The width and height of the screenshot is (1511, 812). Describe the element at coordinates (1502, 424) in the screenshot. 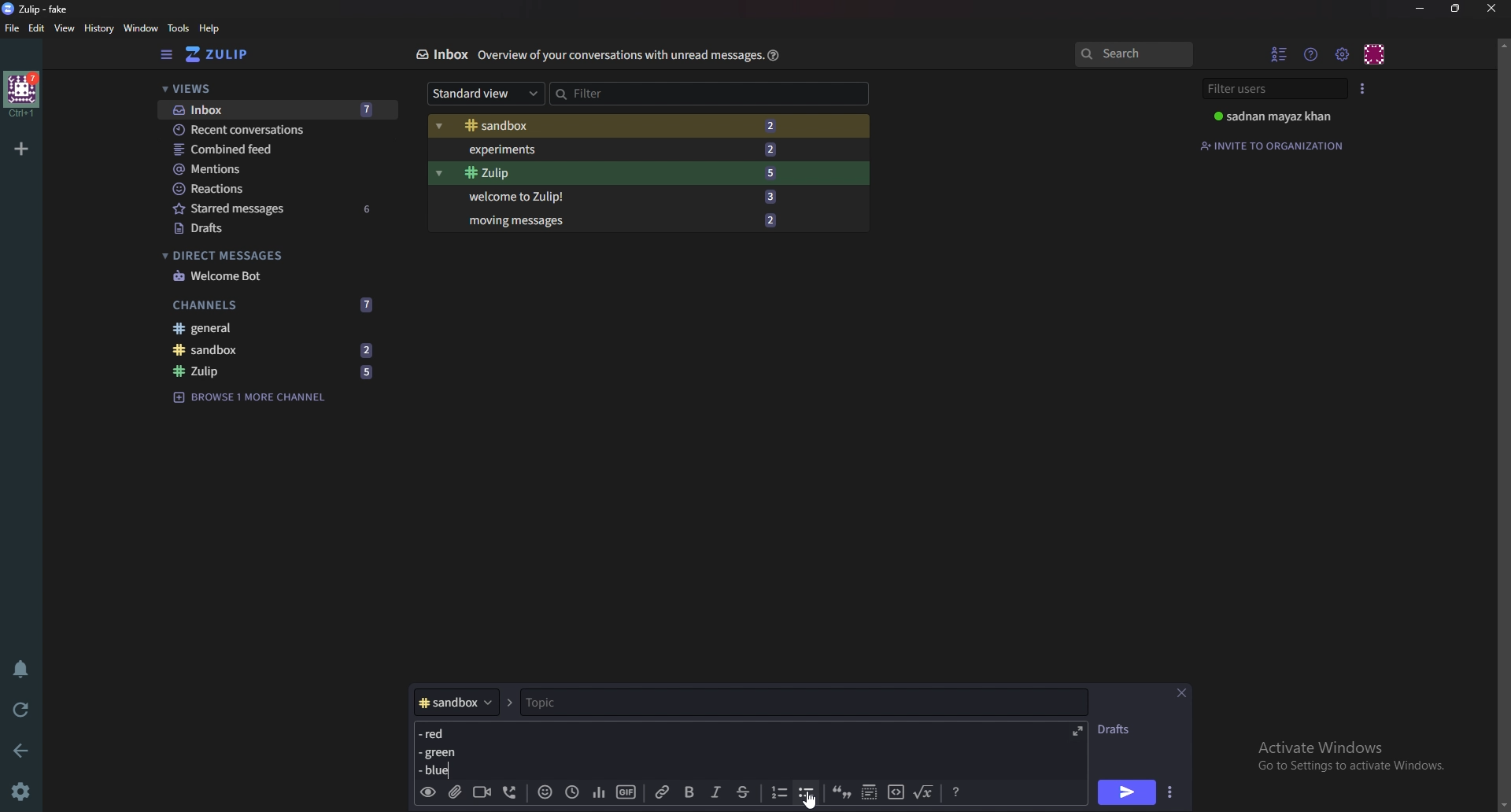

I see `Scroll bar` at that location.